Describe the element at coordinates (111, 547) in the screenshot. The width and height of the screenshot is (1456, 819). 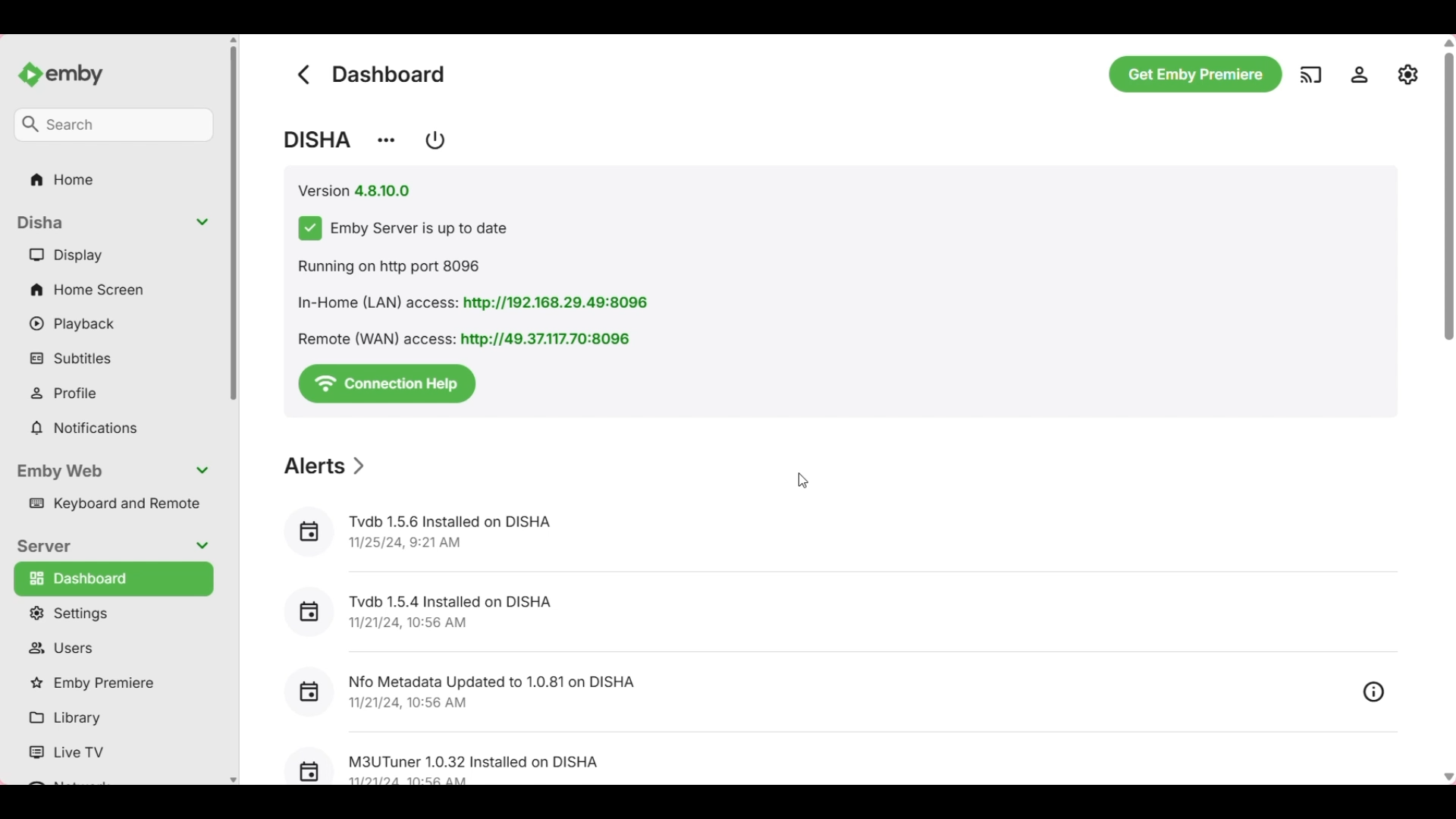
I see `Collapse server` at that location.